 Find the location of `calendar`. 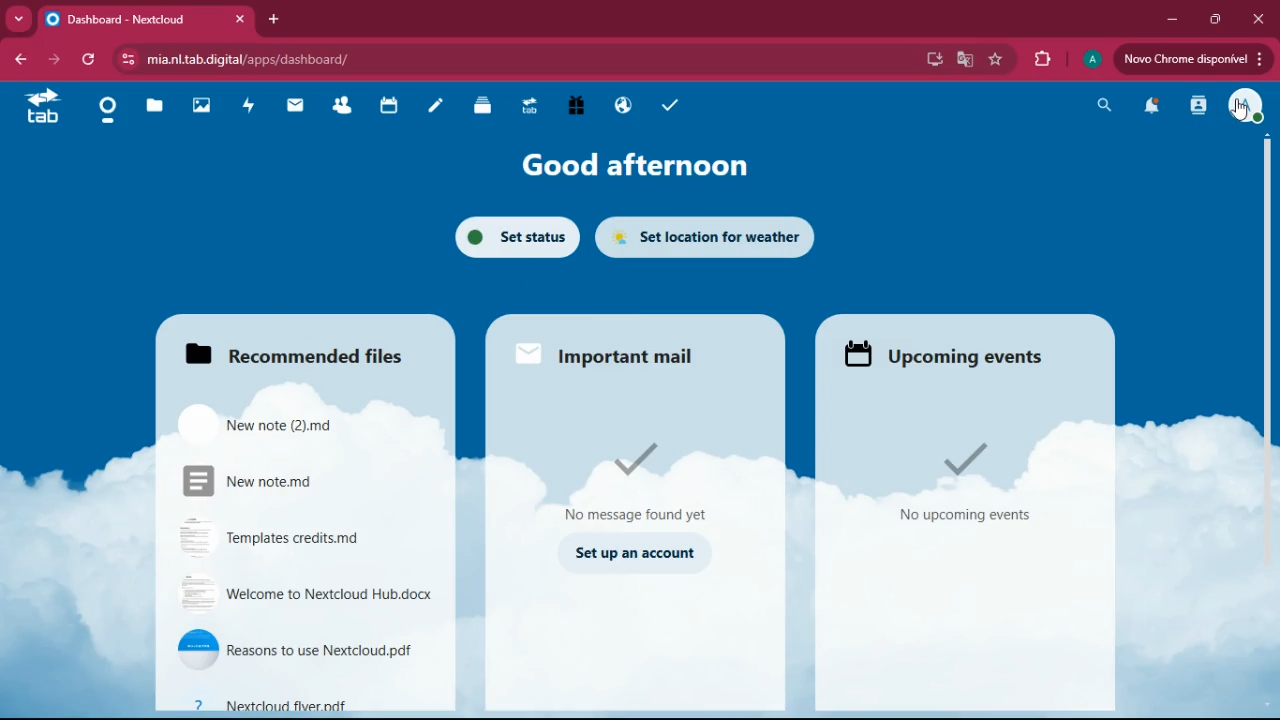

calendar is located at coordinates (390, 107).